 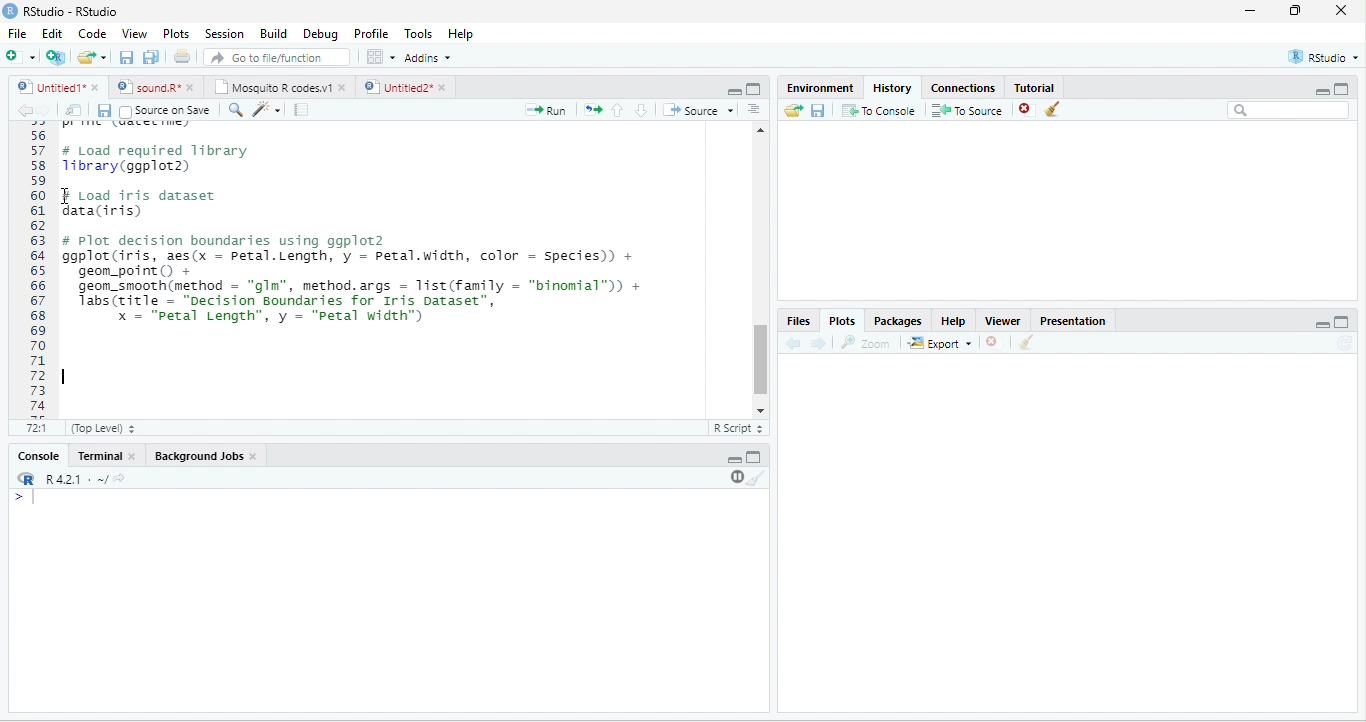 I want to click on scroll bar, so click(x=761, y=360).